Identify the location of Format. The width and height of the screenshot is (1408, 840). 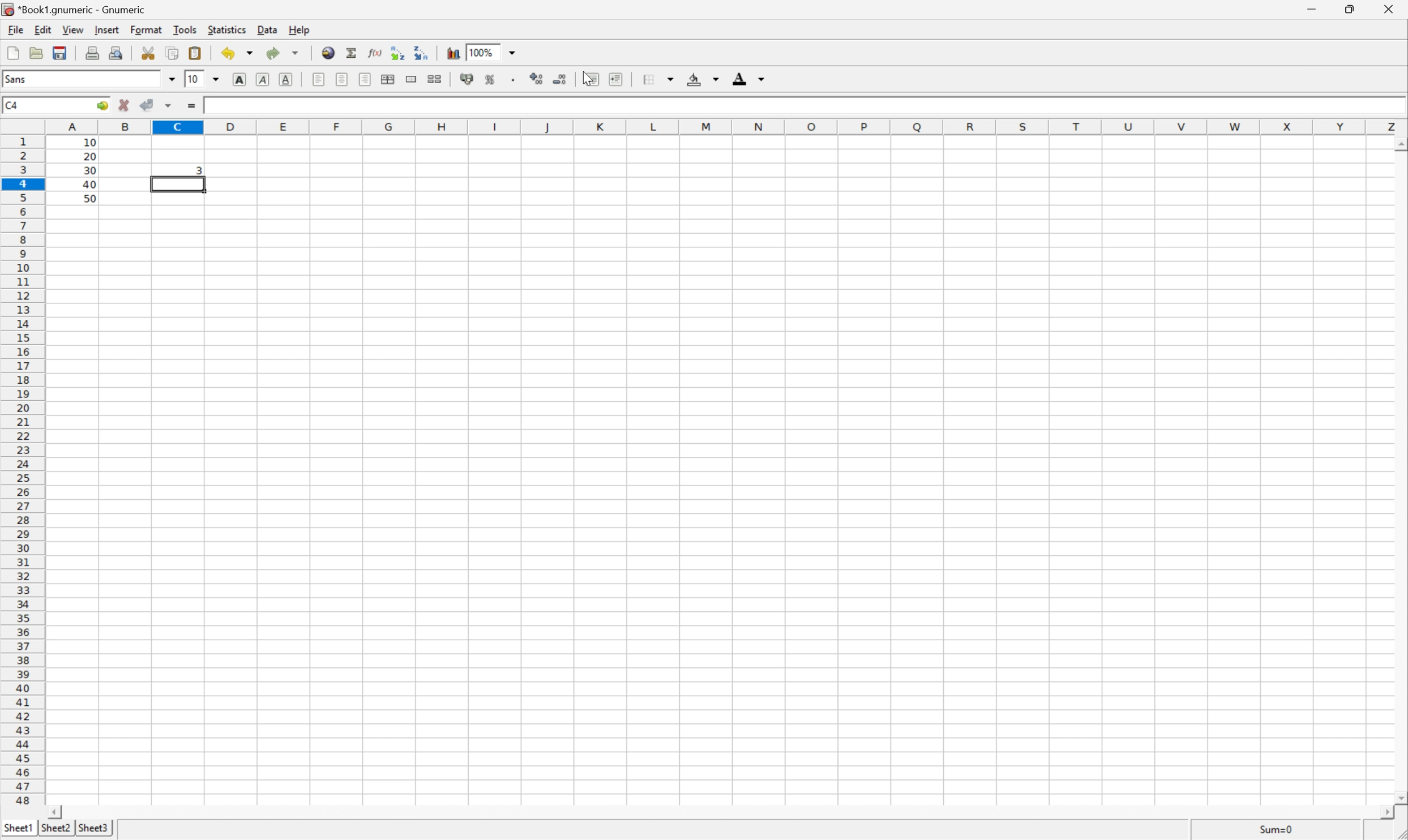
(145, 29).